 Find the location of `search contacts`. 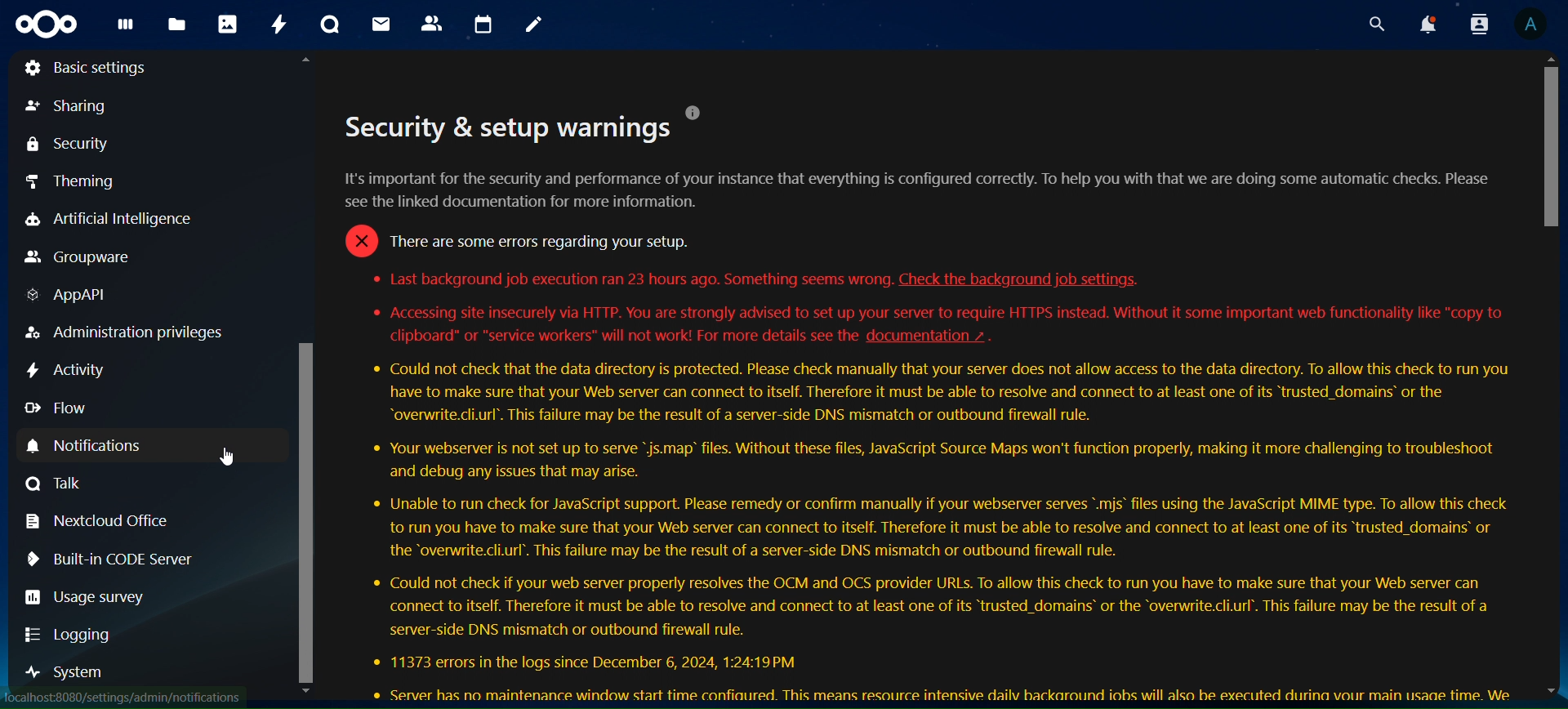

search contacts is located at coordinates (1475, 24).